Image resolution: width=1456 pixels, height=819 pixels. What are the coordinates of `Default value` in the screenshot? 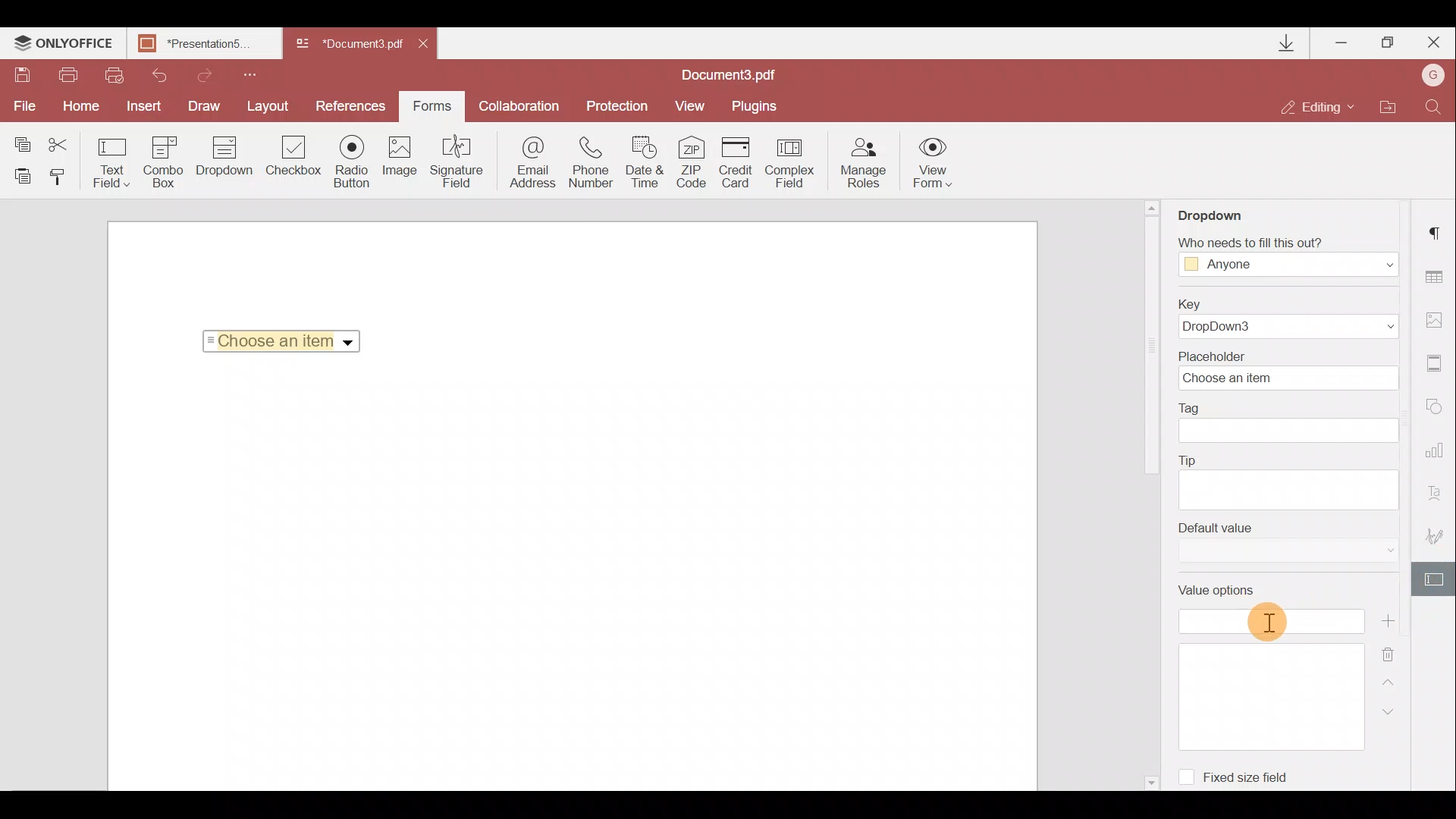 It's located at (1282, 547).